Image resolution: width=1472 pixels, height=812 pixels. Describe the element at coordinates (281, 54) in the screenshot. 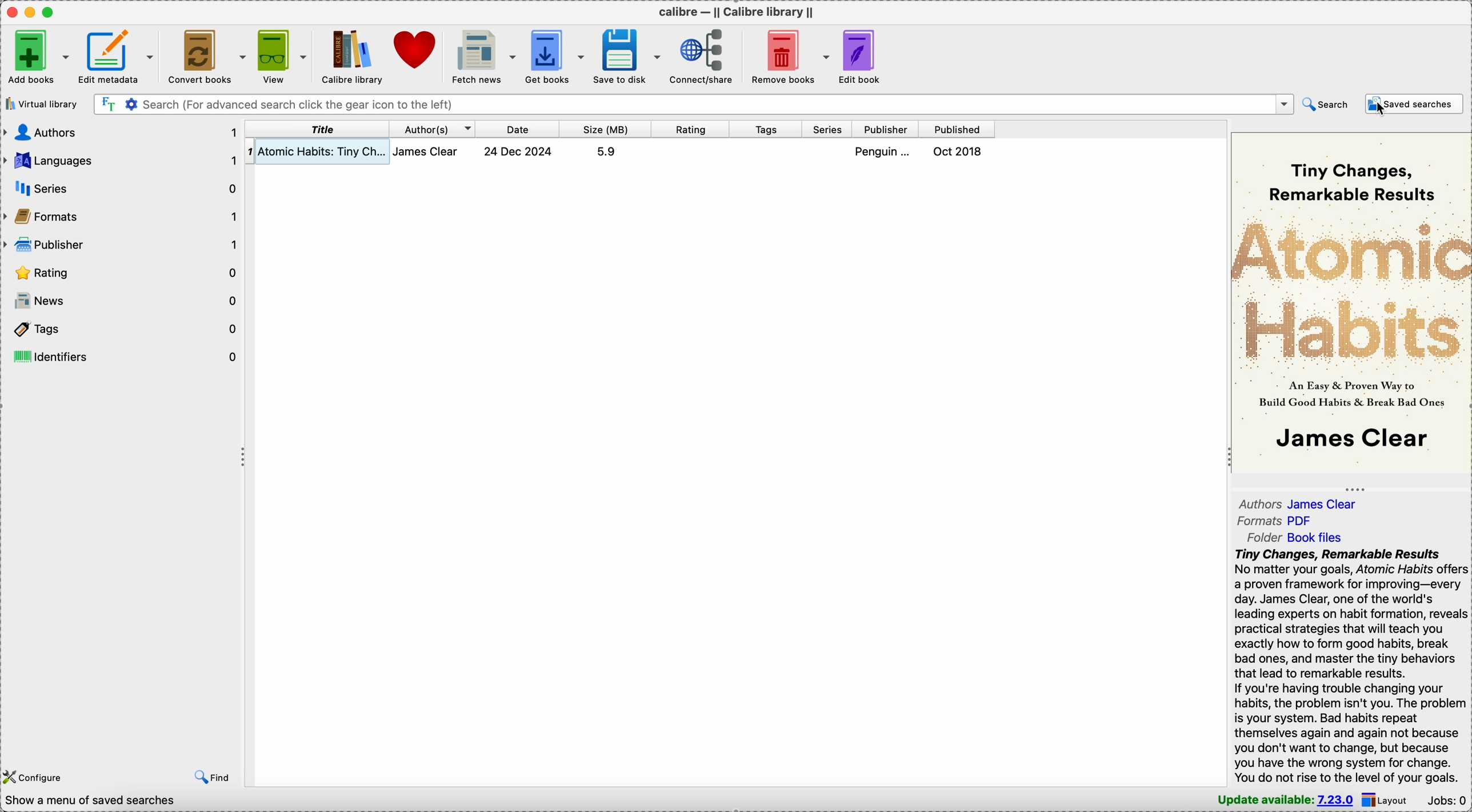

I see `view` at that location.